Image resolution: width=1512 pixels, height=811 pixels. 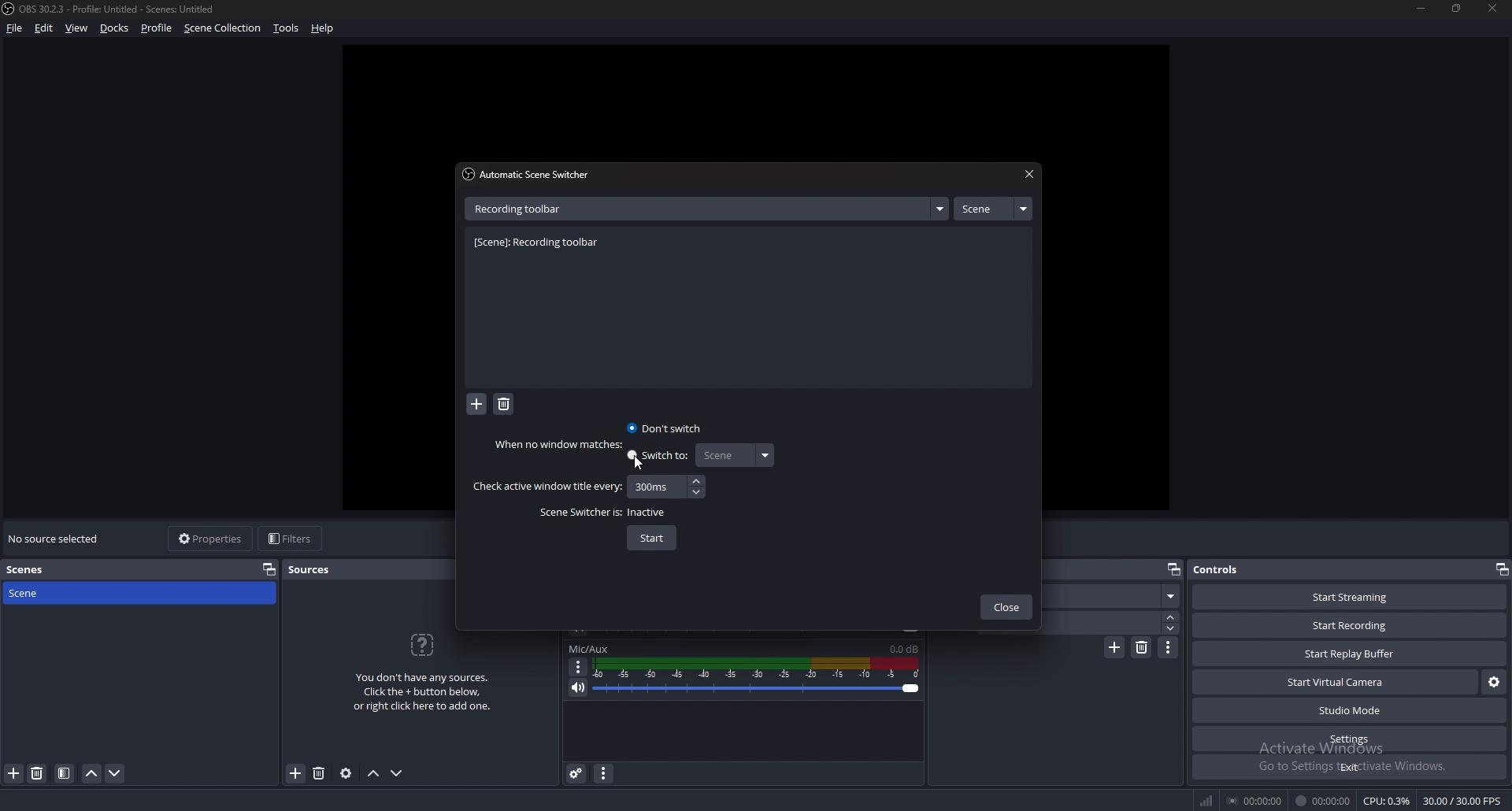 What do you see at coordinates (562, 444) in the screenshot?
I see `when no window matches` at bounding box center [562, 444].